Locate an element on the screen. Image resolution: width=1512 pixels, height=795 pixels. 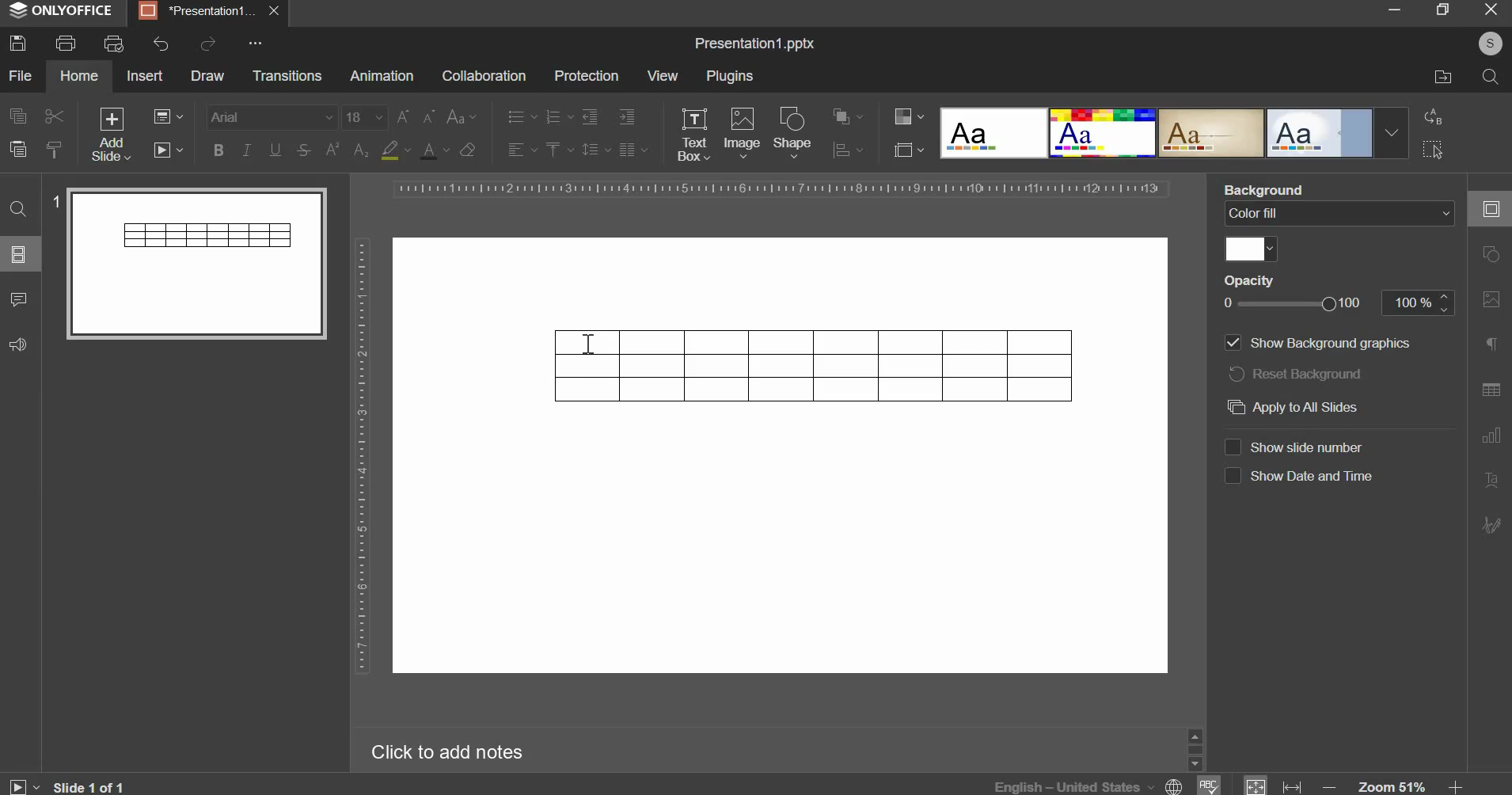
home is located at coordinates (78, 75).